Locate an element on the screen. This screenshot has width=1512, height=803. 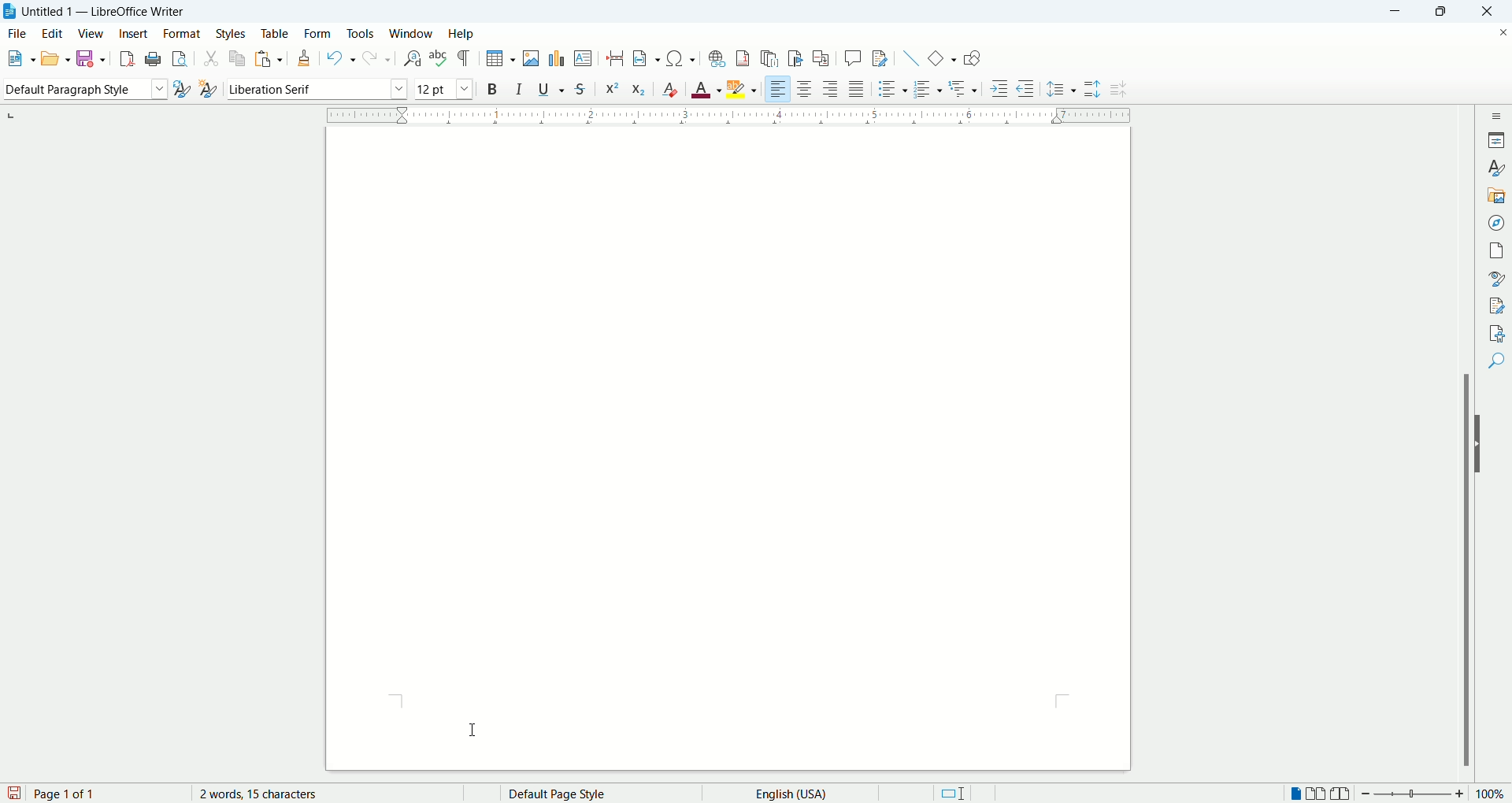
copy is located at coordinates (239, 57).